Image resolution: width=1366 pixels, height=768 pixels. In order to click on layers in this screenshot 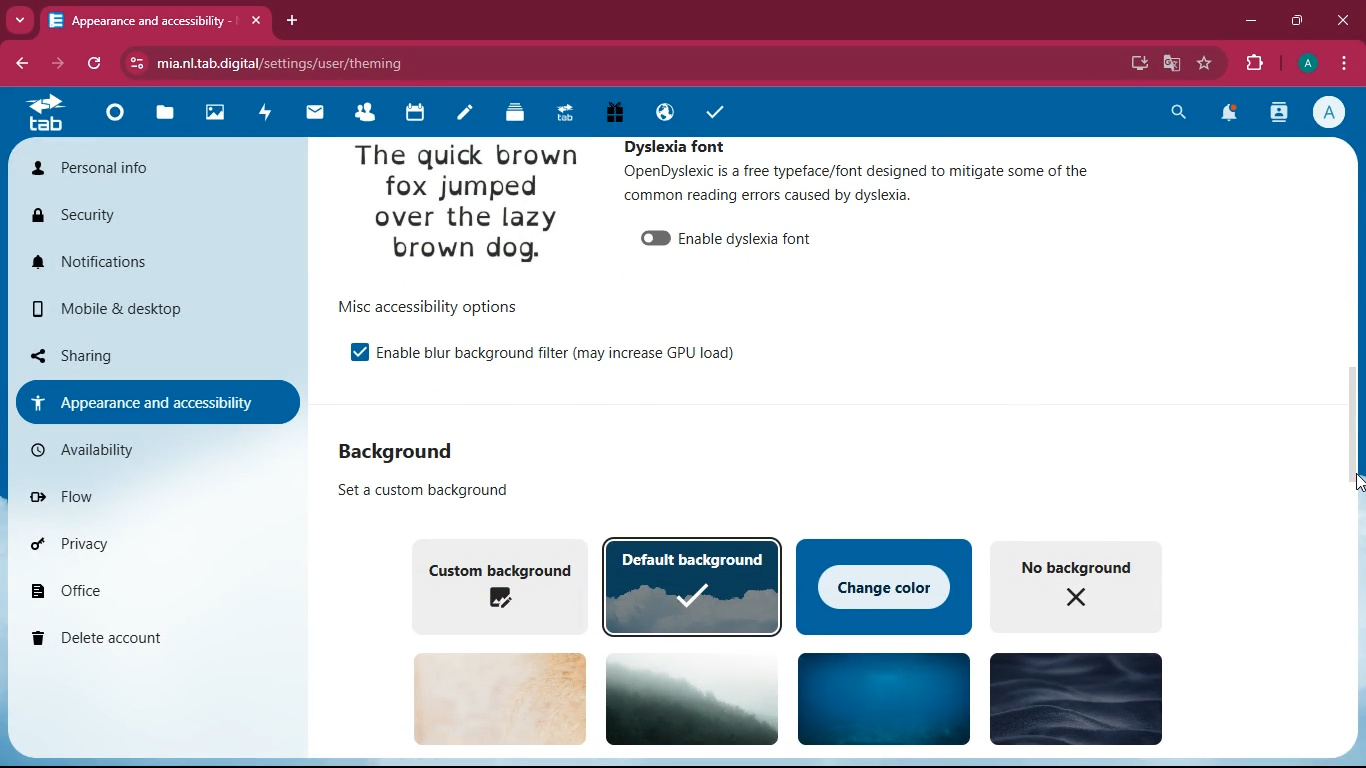, I will do `click(511, 114)`.